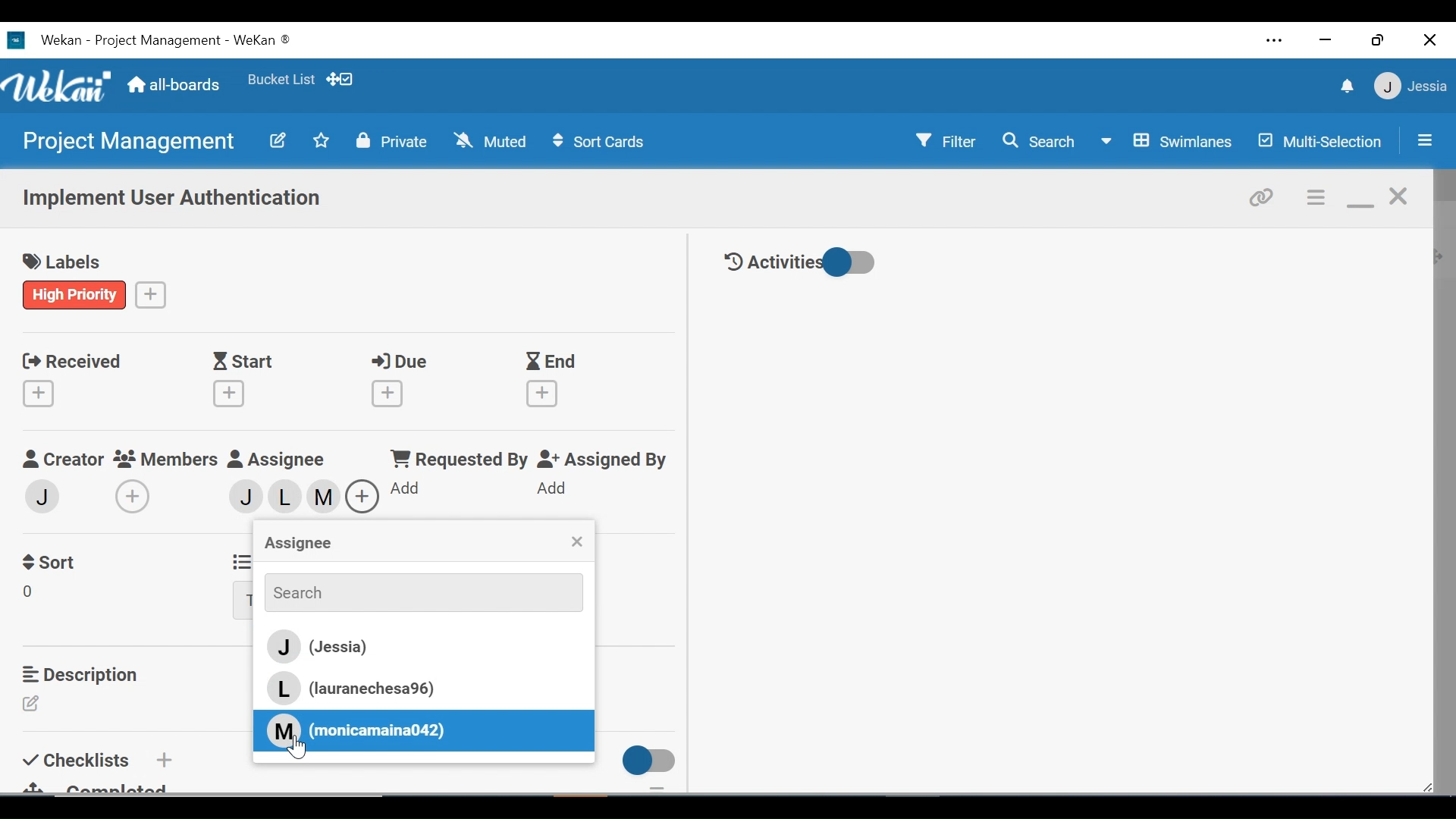 This screenshot has width=1456, height=819. What do you see at coordinates (1409, 86) in the screenshot?
I see `jessica` at bounding box center [1409, 86].